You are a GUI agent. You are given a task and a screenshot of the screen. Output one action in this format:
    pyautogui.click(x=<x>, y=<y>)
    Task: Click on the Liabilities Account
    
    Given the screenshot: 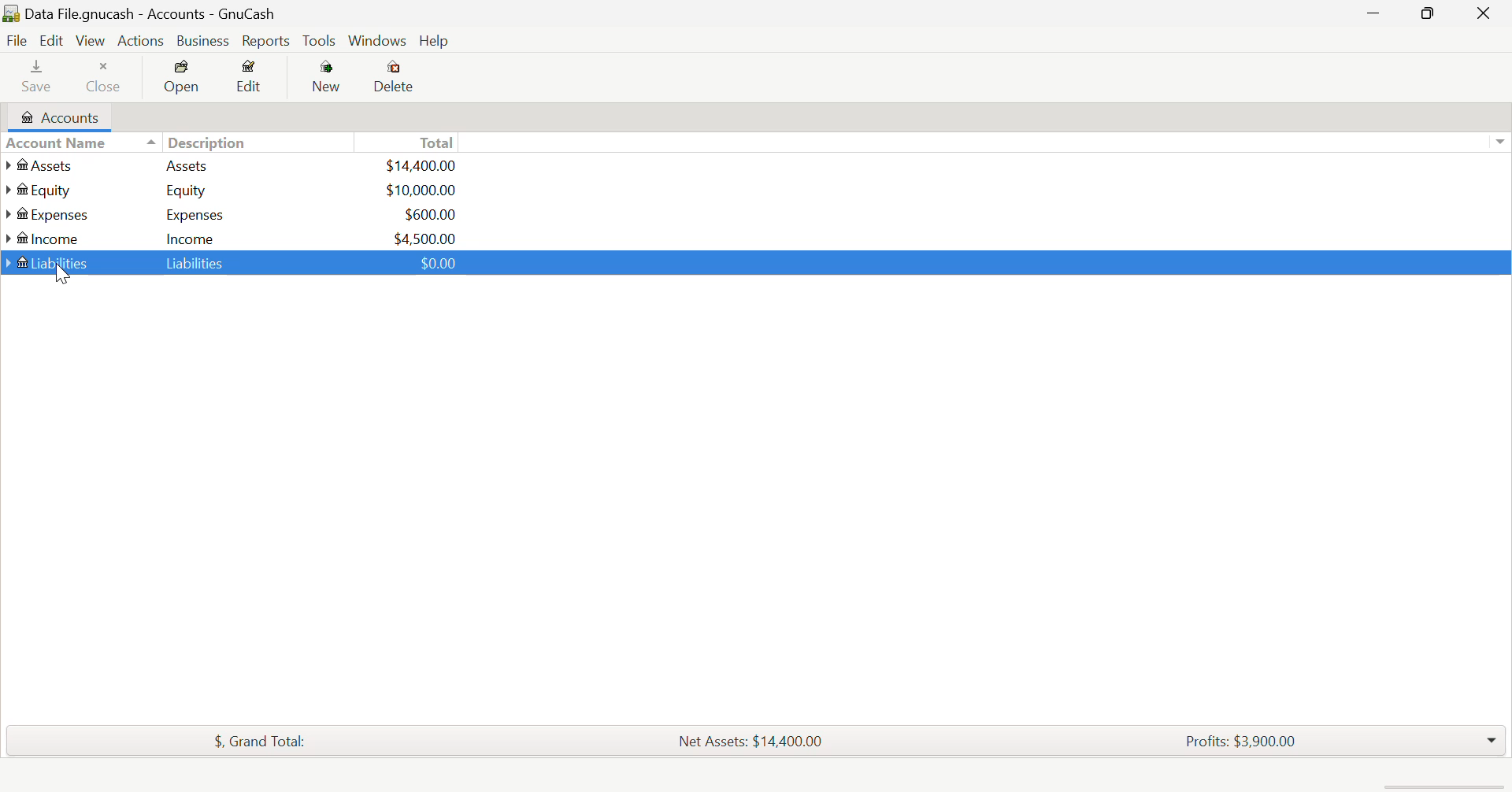 What is the action you would take?
    pyautogui.click(x=48, y=261)
    